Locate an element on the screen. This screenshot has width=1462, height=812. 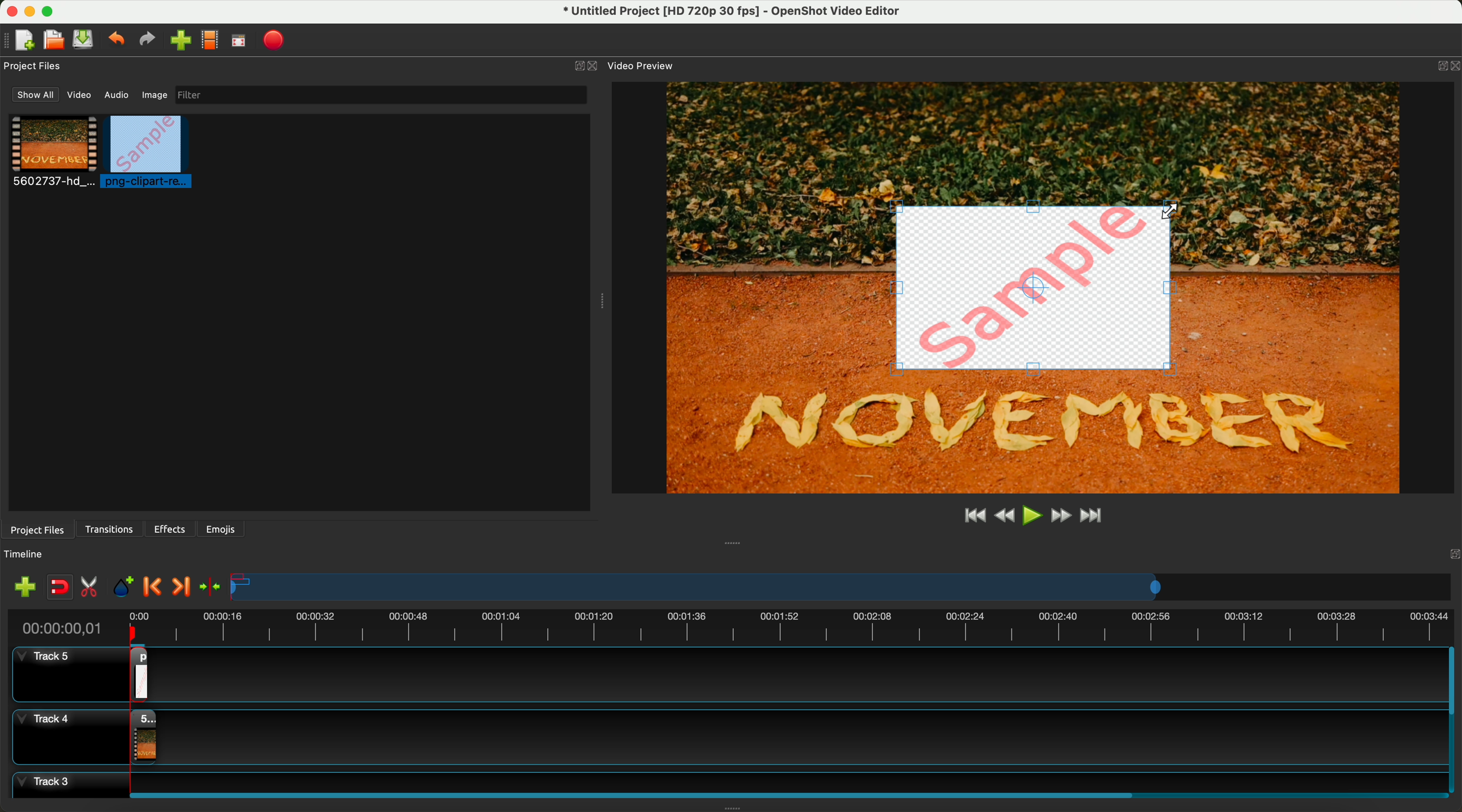
next marker is located at coordinates (180, 587).